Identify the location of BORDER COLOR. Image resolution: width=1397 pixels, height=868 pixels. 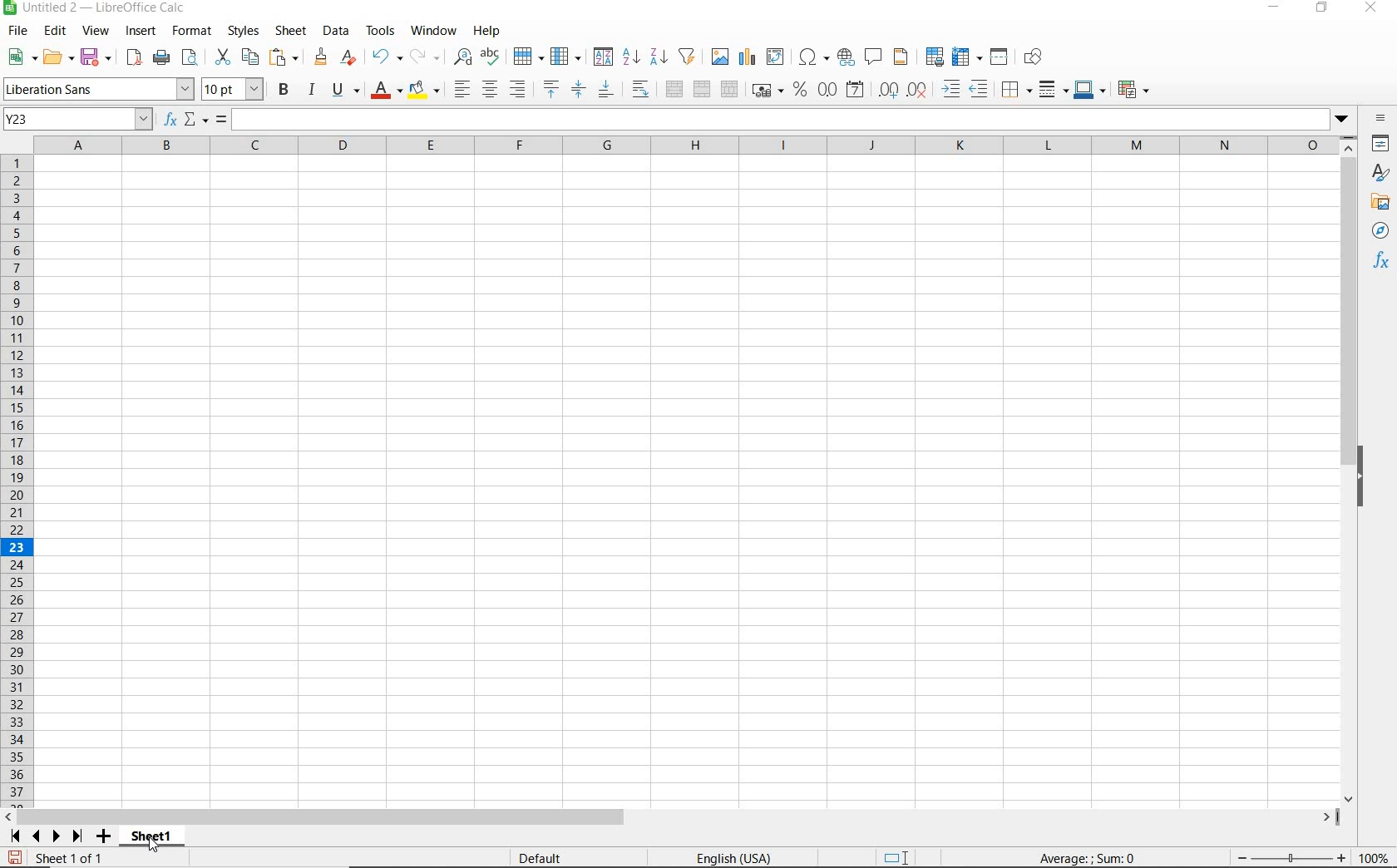
(1088, 89).